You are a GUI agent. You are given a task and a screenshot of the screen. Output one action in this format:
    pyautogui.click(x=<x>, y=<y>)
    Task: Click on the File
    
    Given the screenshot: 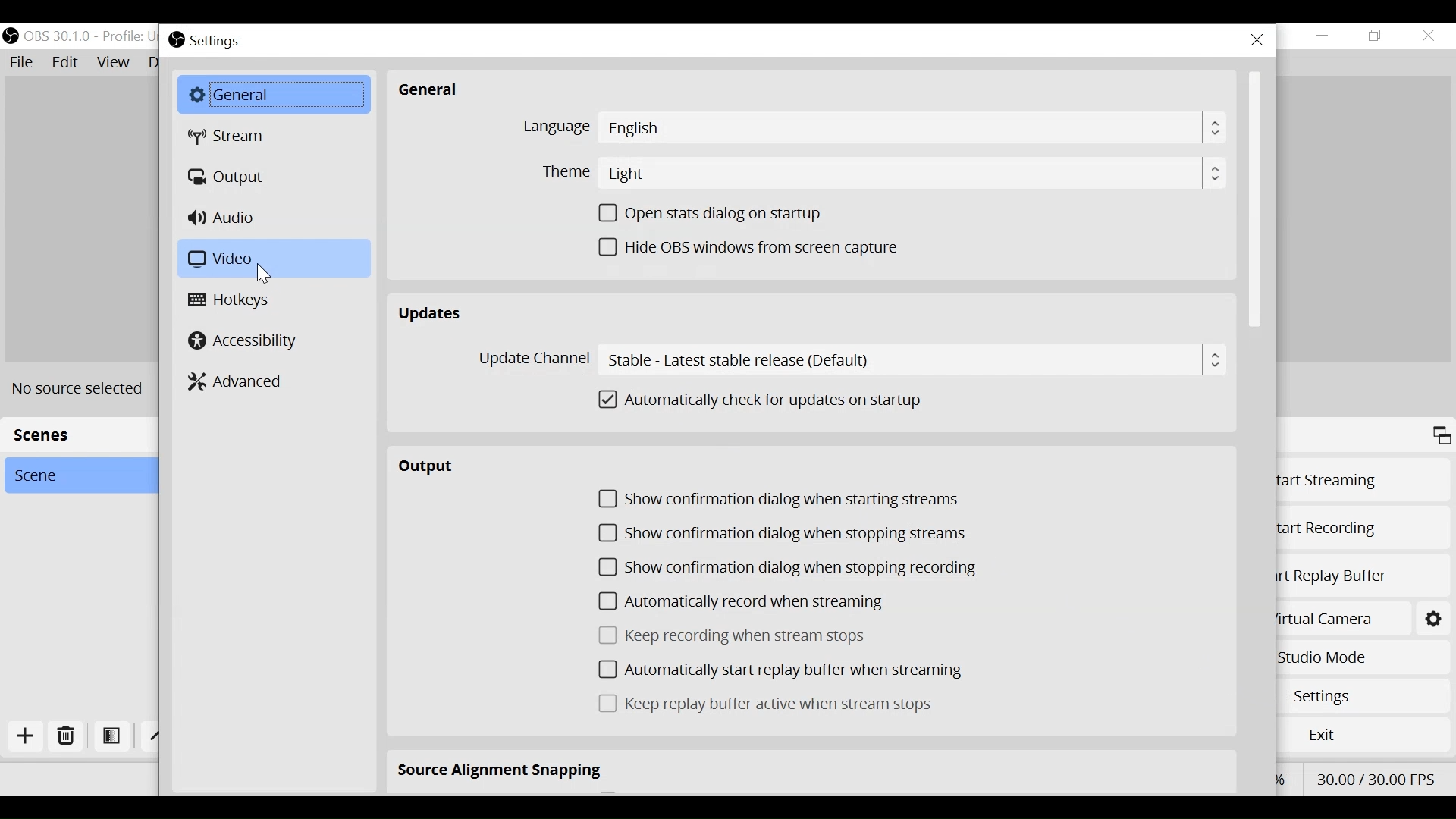 What is the action you would take?
    pyautogui.click(x=24, y=63)
    